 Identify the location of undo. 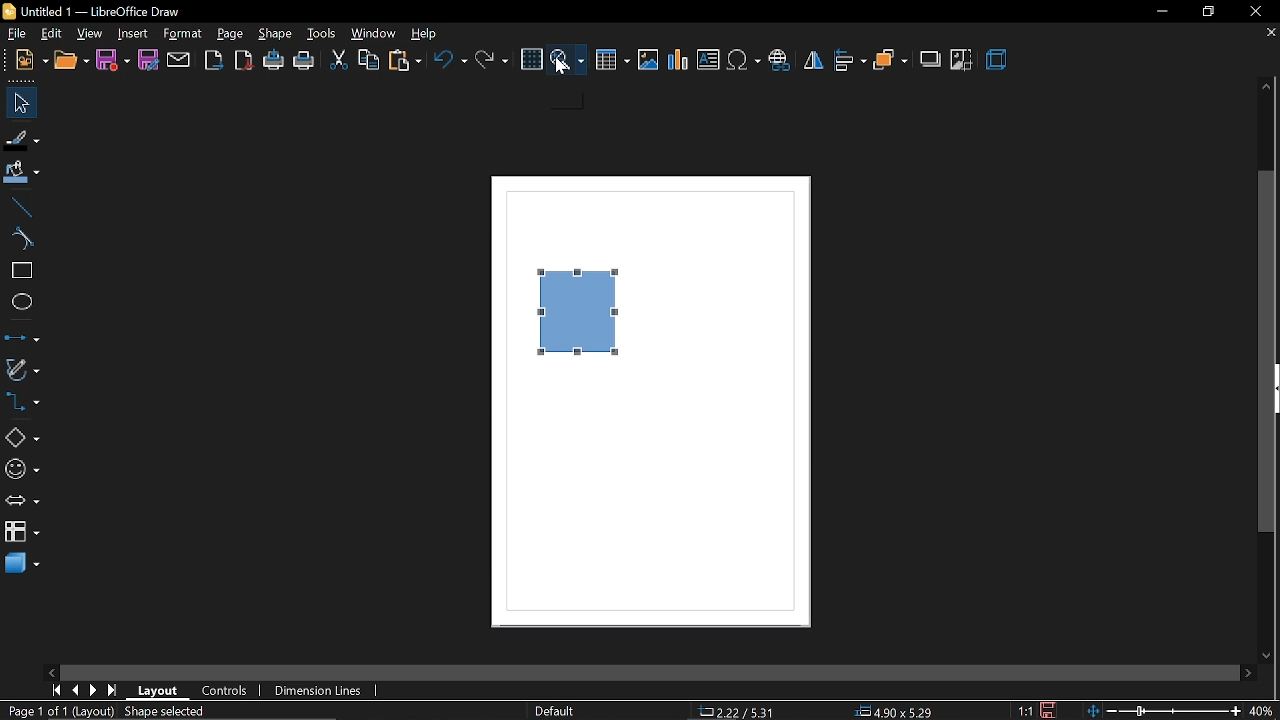
(453, 60).